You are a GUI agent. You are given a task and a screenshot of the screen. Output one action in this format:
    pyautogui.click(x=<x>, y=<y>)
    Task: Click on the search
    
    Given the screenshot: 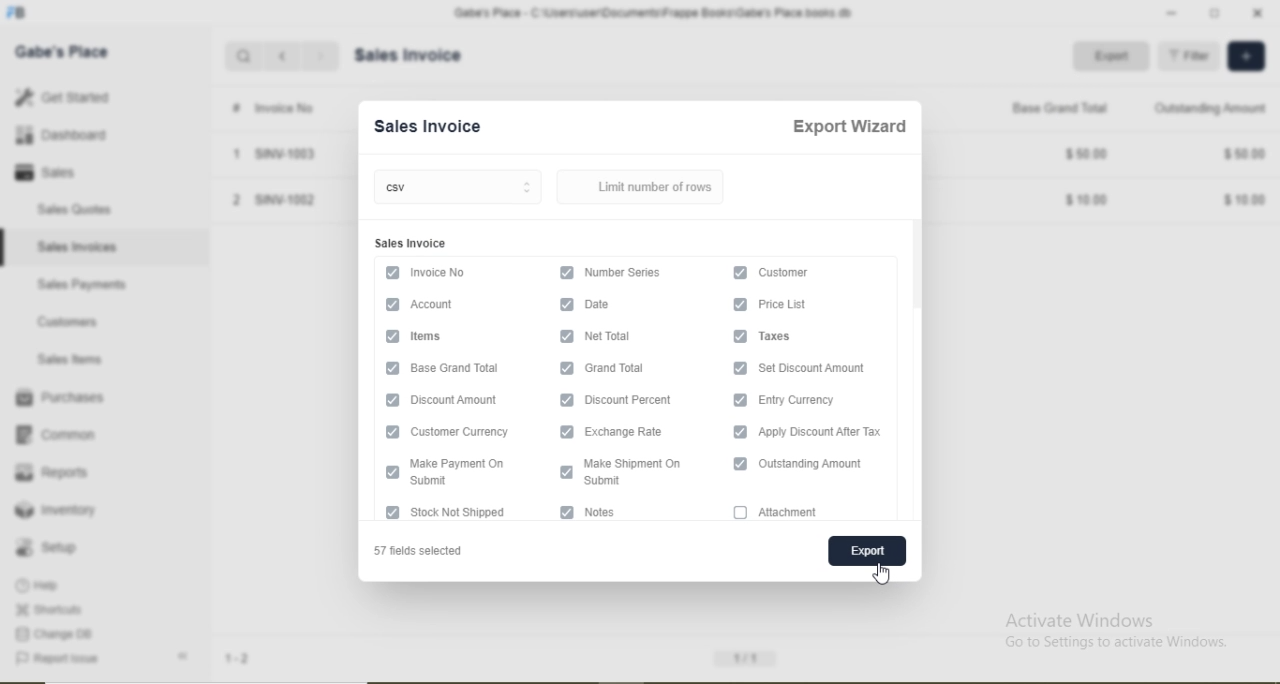 What is the action you would take?
    pyautogui.click(x=246, y=58)
    